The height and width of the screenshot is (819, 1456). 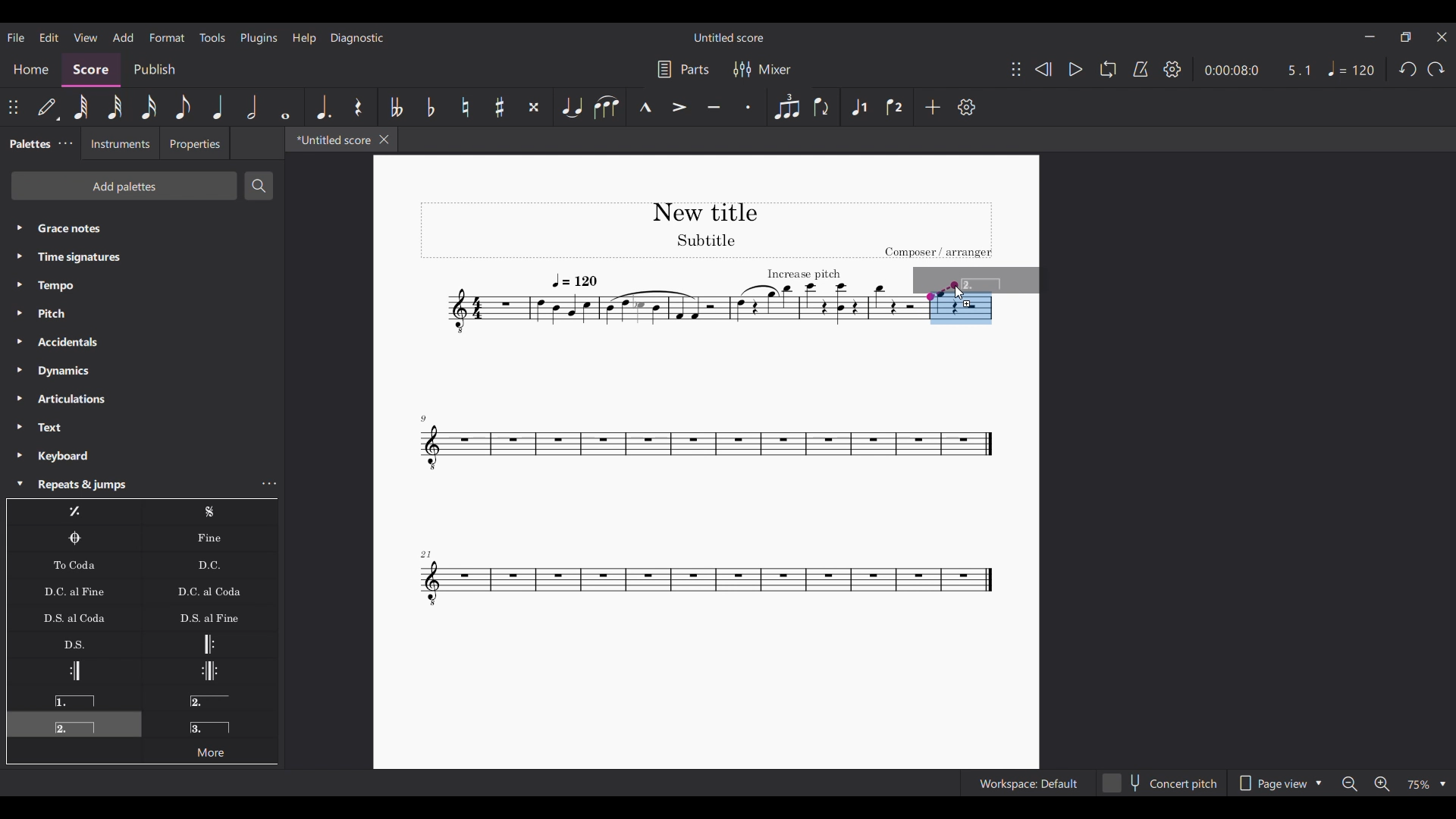 What do you see at coordinates (359, 107) in the screenshot?
I see `Rest` at bounding box center [359, 107].